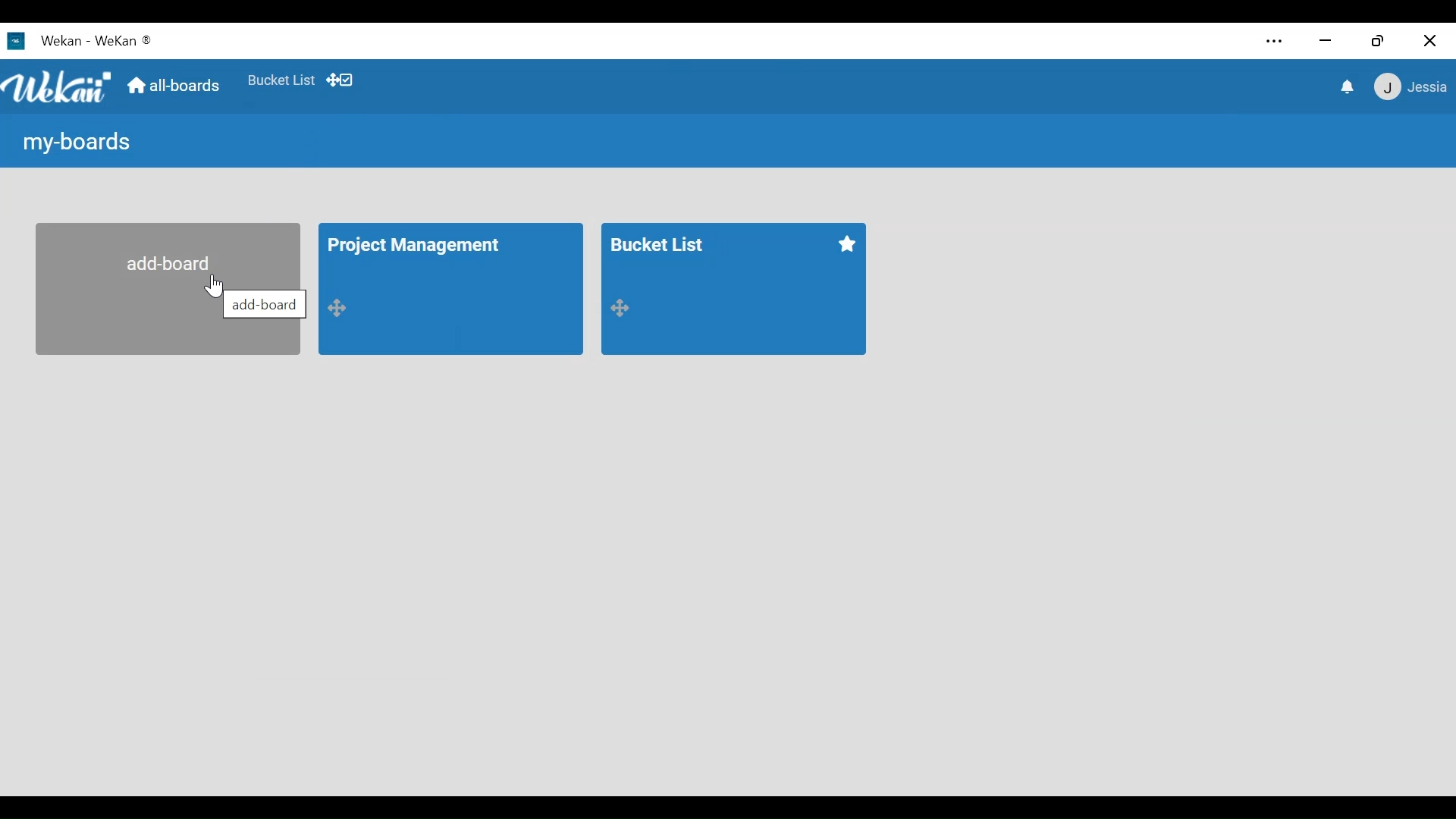 The image size is (1456, 819). I want to click on Settings and more, so click(1273, 42).